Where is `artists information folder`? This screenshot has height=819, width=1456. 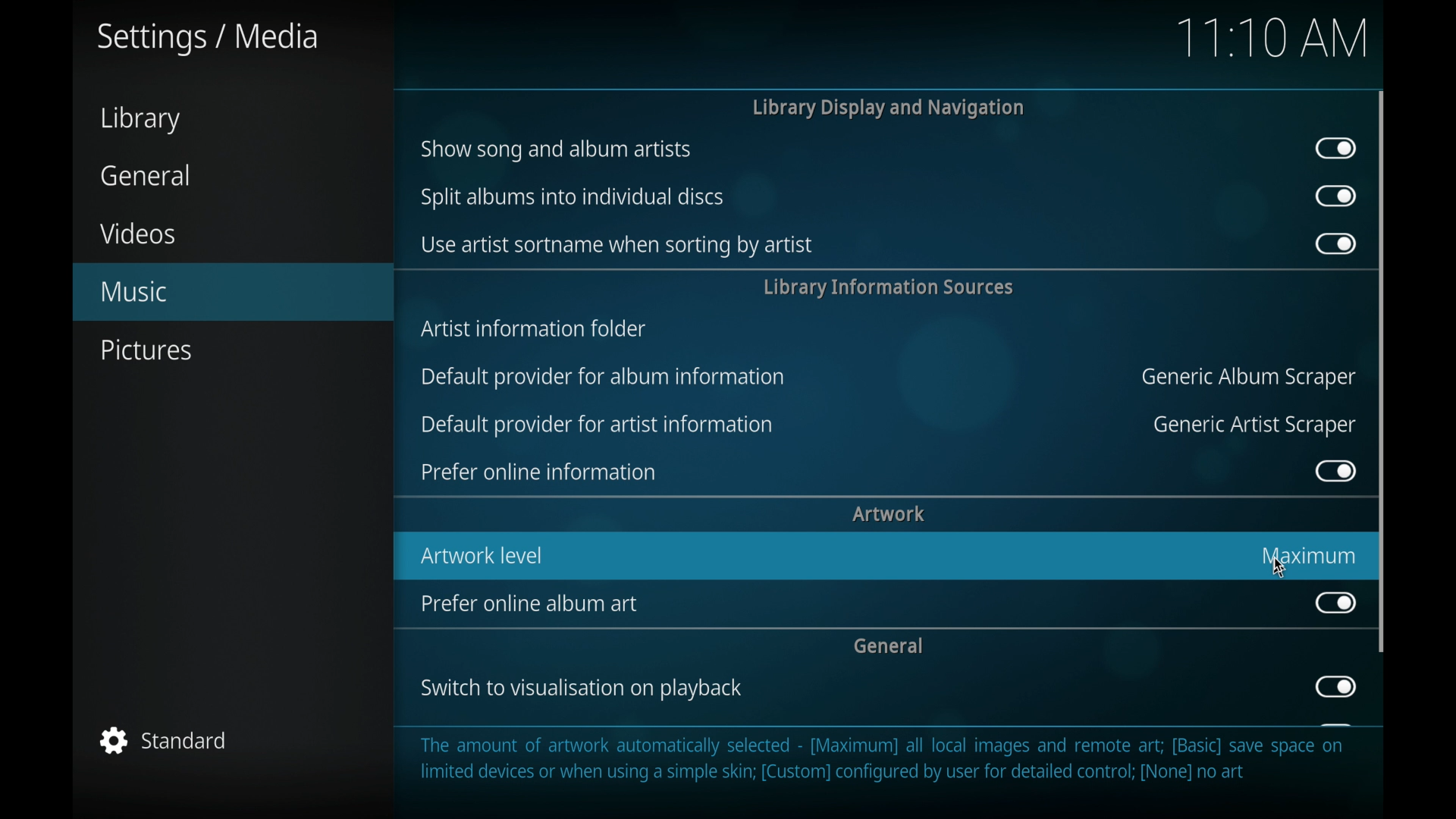 artists information folder is located at coordinates (535, 330).